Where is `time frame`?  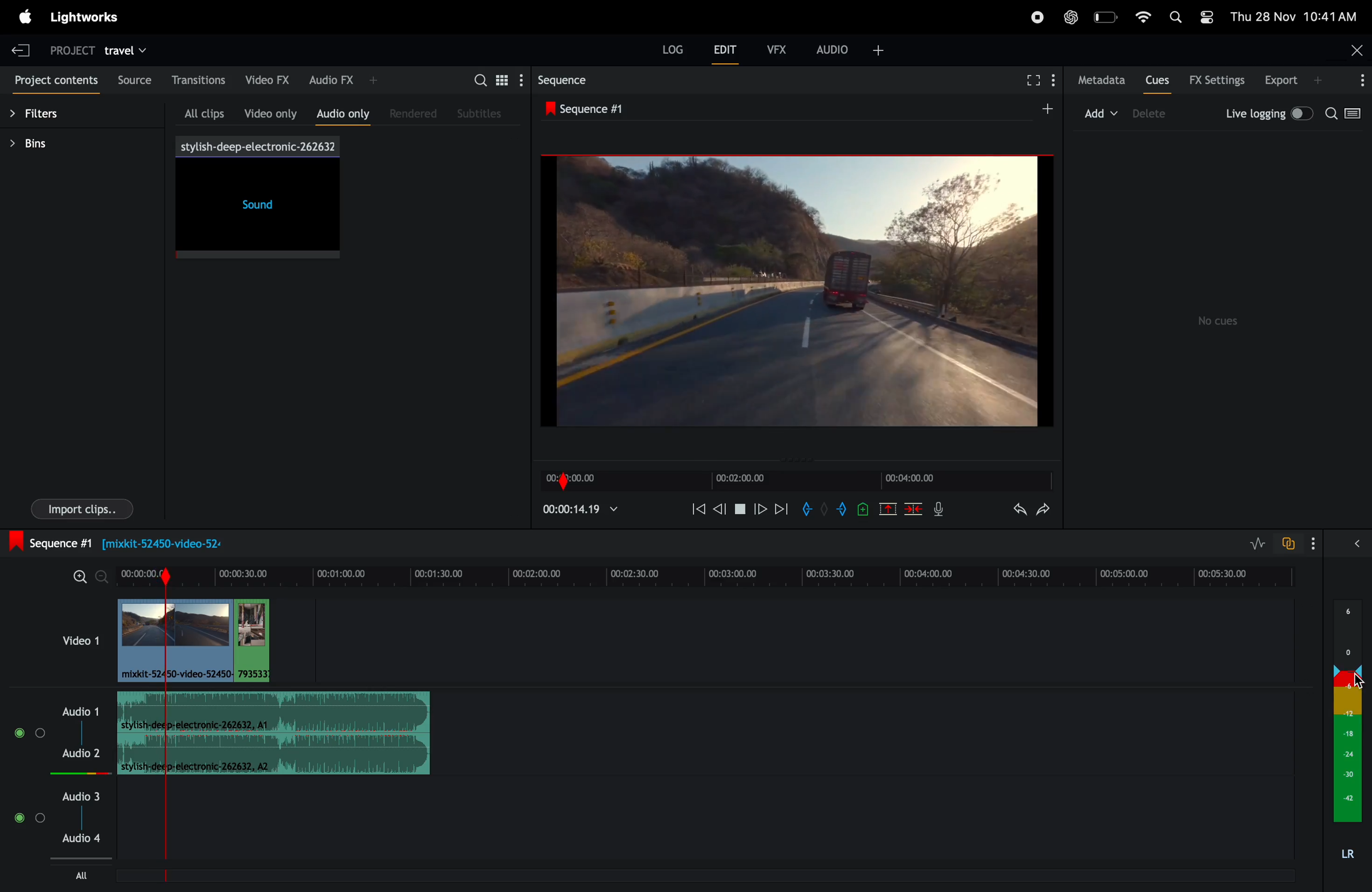 time frame is located at coordinates (703, 576).